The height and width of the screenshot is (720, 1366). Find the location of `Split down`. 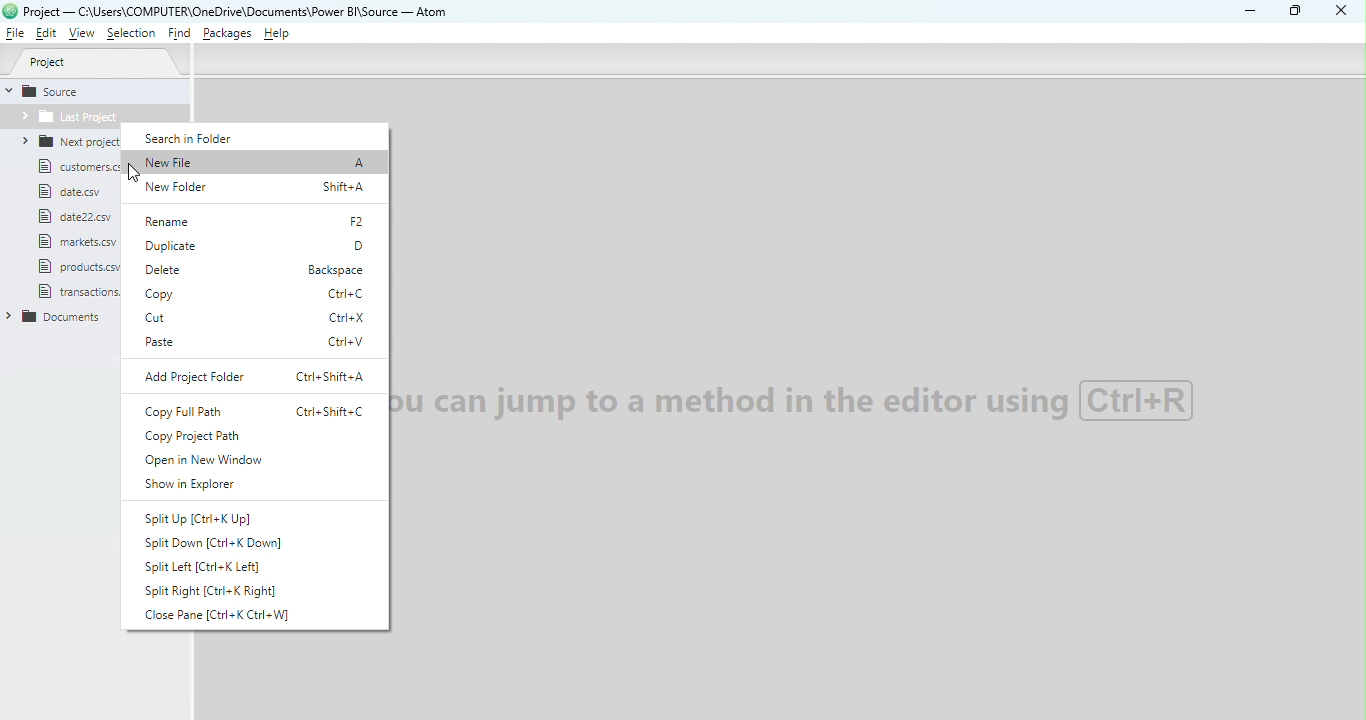

Split down is located at coordinates (222, 544).